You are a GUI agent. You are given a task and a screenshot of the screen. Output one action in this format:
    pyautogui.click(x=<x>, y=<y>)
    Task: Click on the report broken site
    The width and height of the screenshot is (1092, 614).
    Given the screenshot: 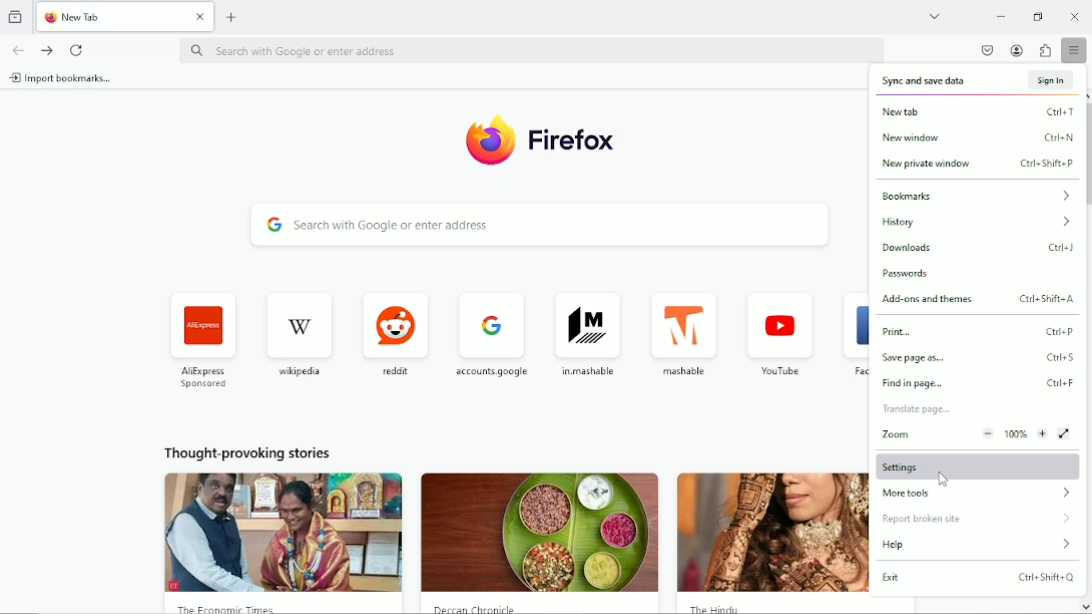 What is the action you would take?
    pyautogui.click(x=982, y=520)
    